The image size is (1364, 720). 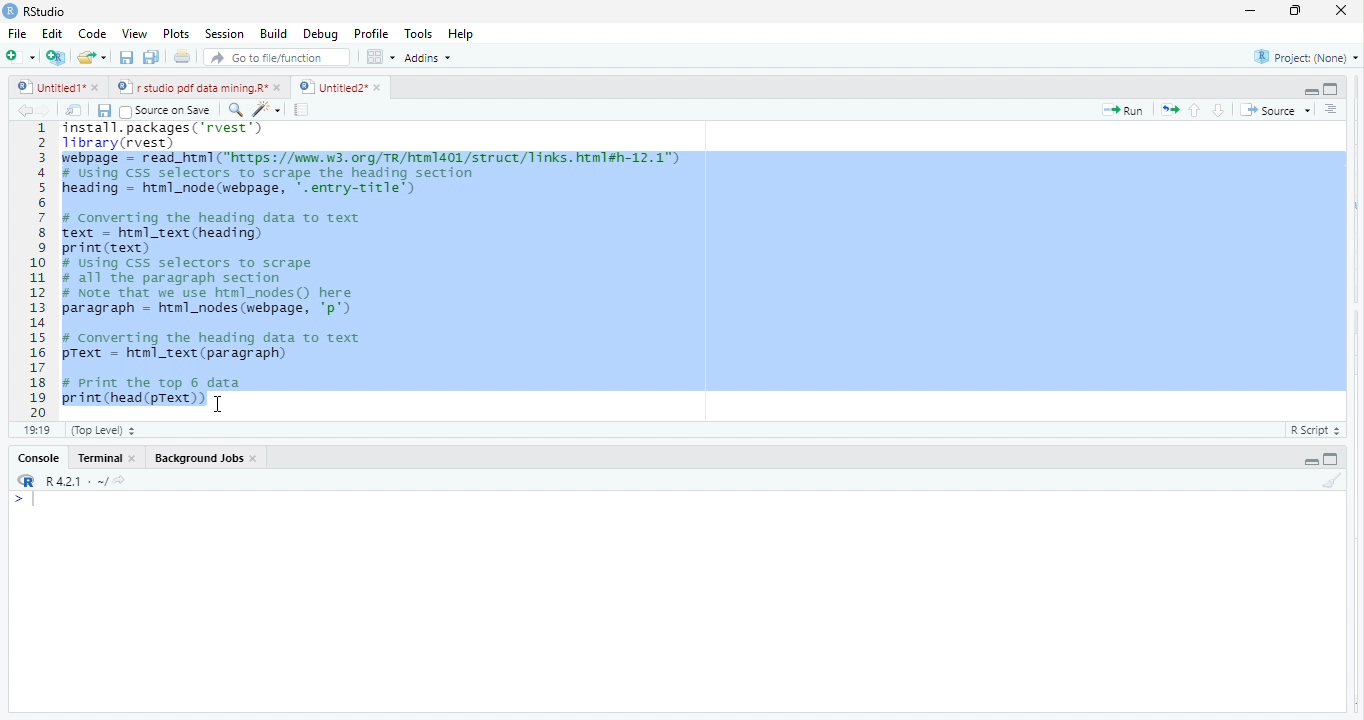 I want to click on R Script , so click(x=1312, y=431).